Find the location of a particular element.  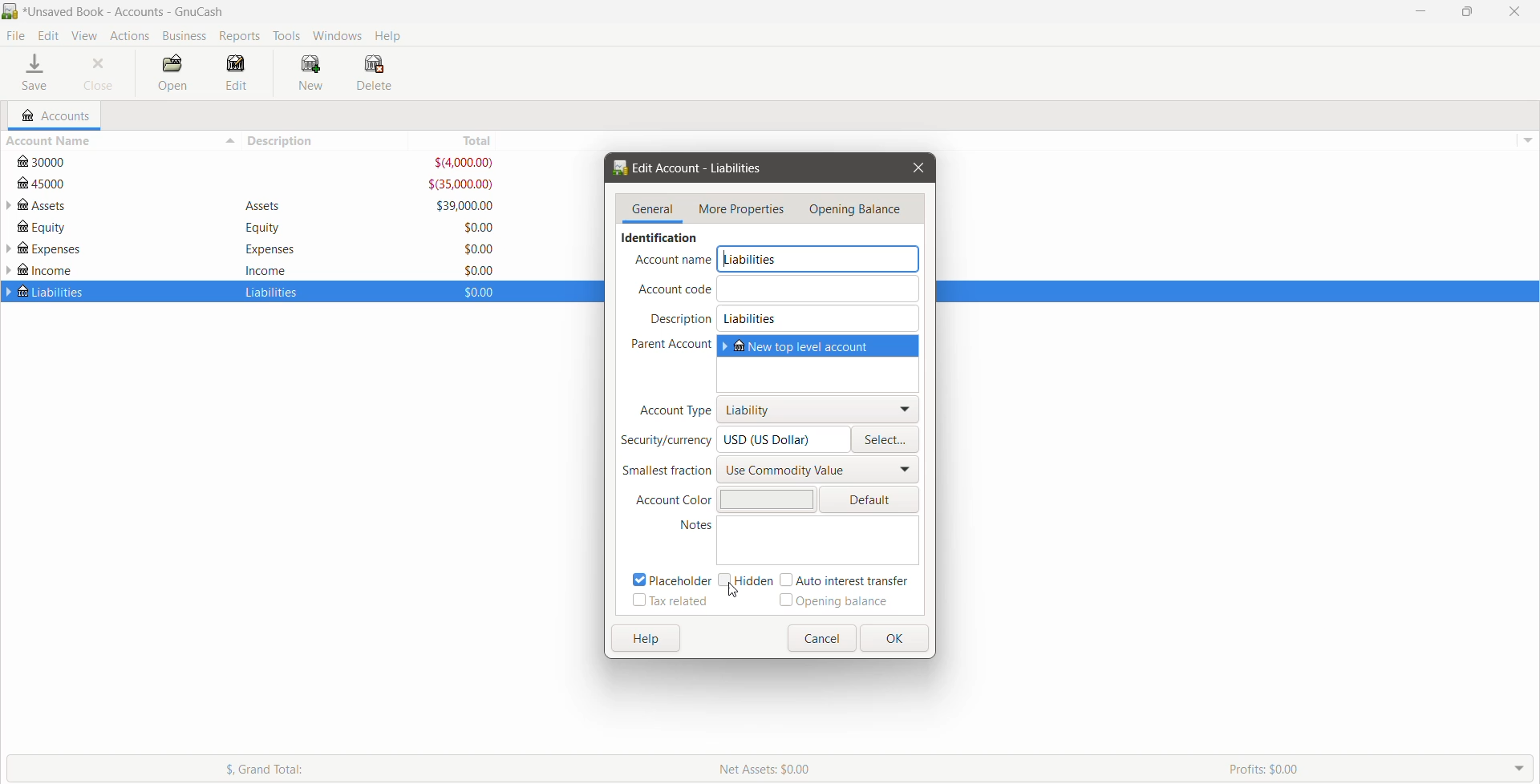

Save is located at coordinates (37, 74).